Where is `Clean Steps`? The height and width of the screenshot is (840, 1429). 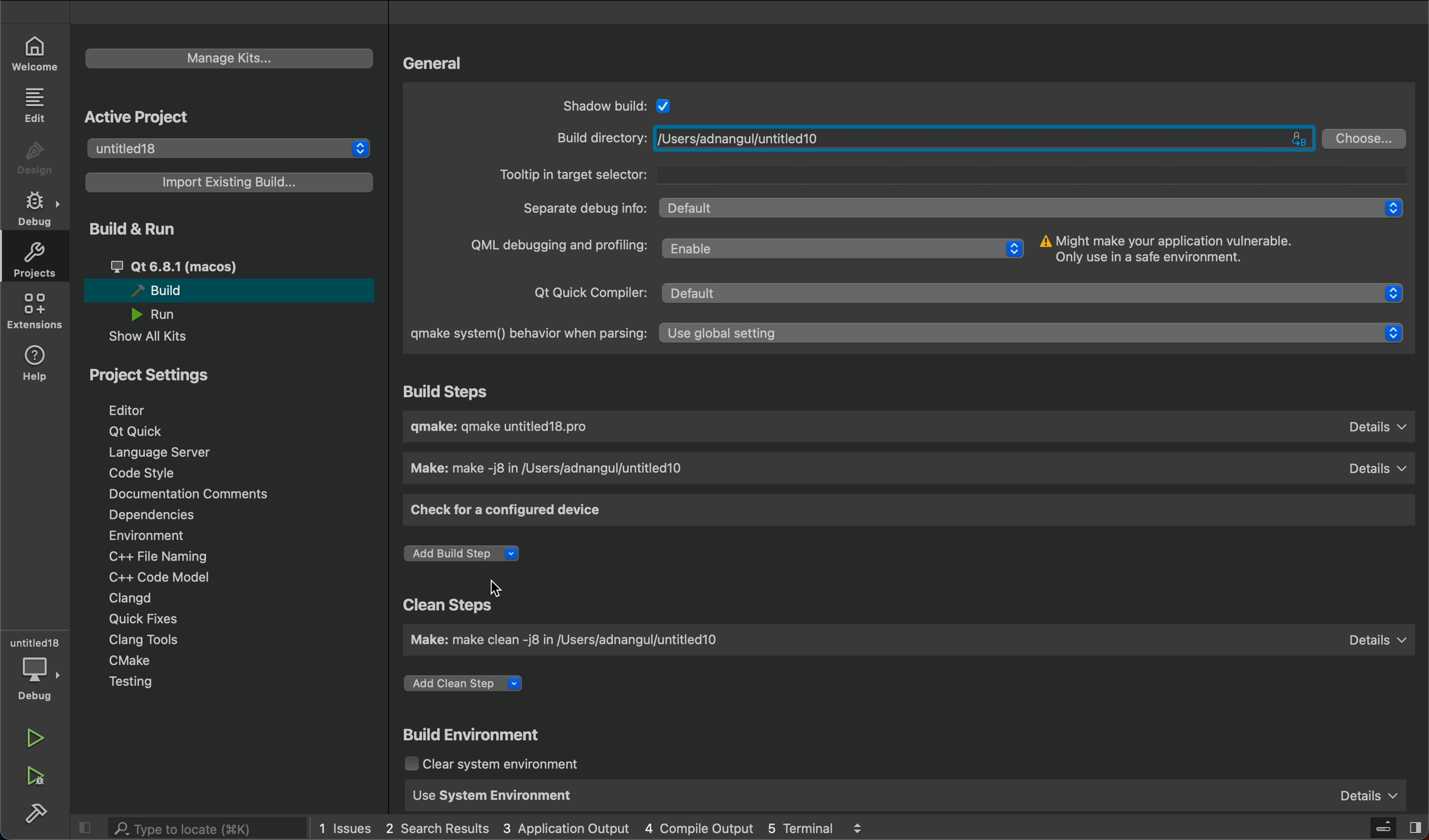 Clean Steps is located at coordinates (449, 606).